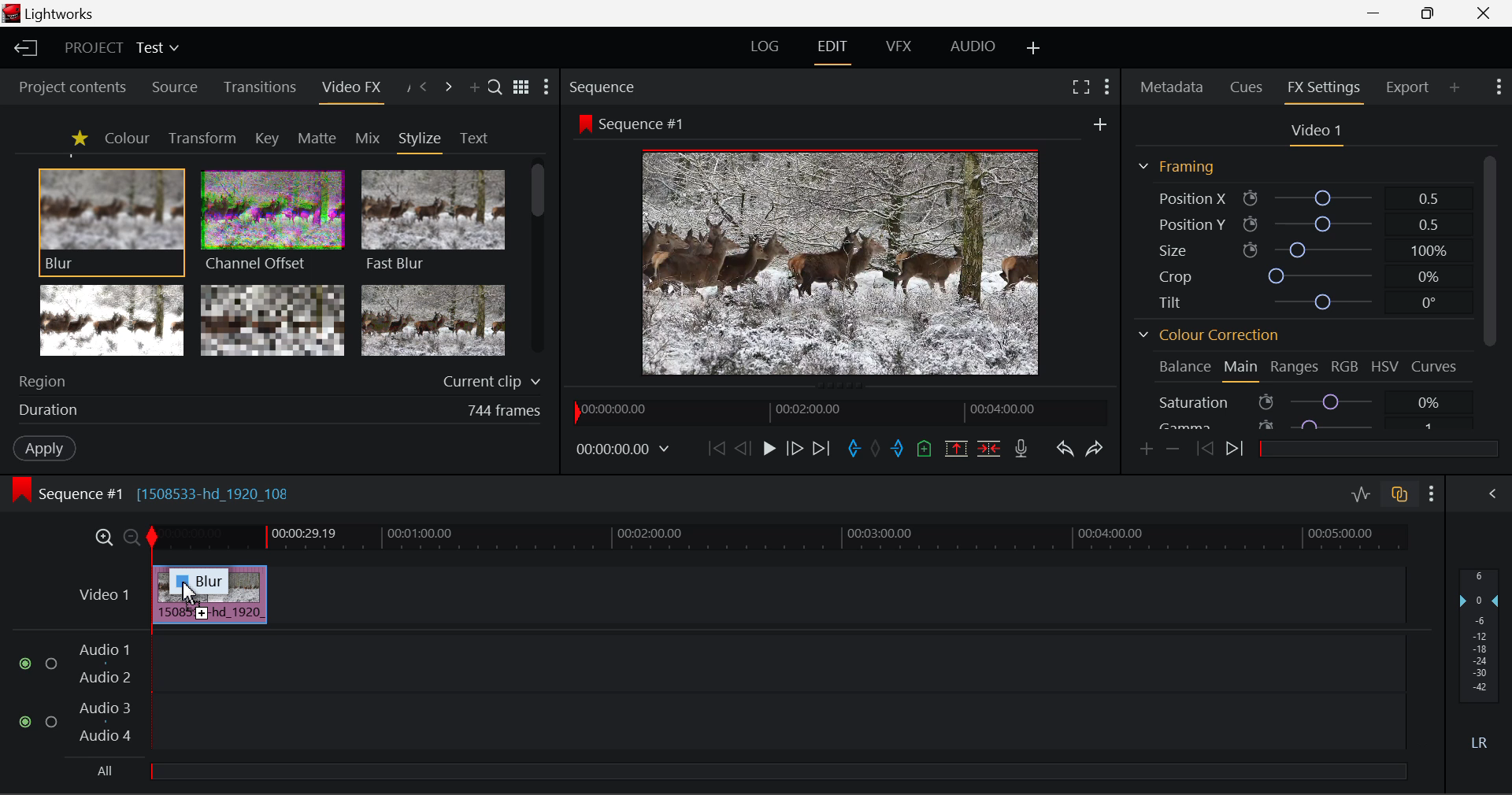  Describe the element at coordinates (991, 444) in the screenshot. I see `Delete/Cut` at that location.